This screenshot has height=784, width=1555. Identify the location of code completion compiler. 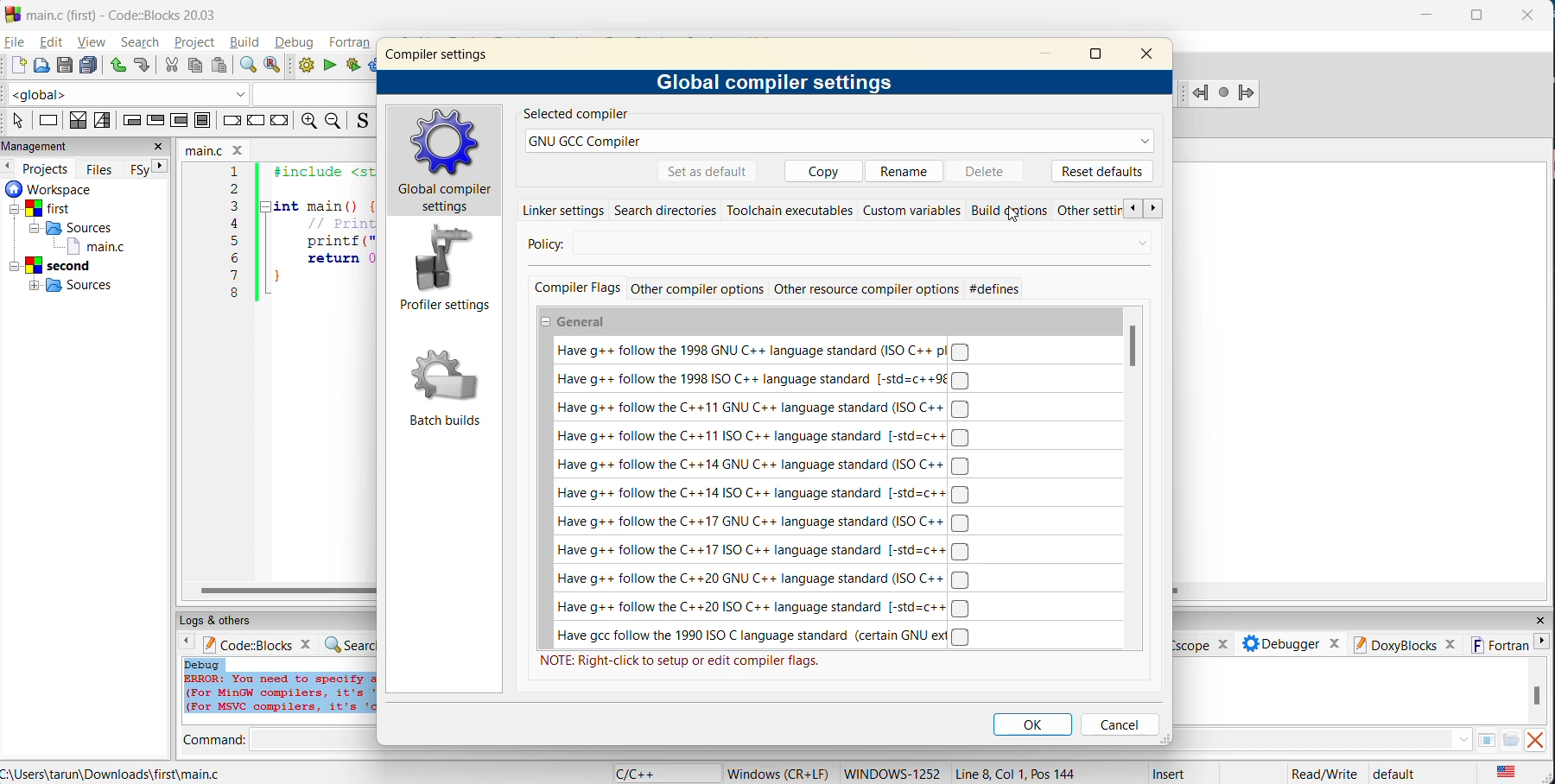
(184, 97).